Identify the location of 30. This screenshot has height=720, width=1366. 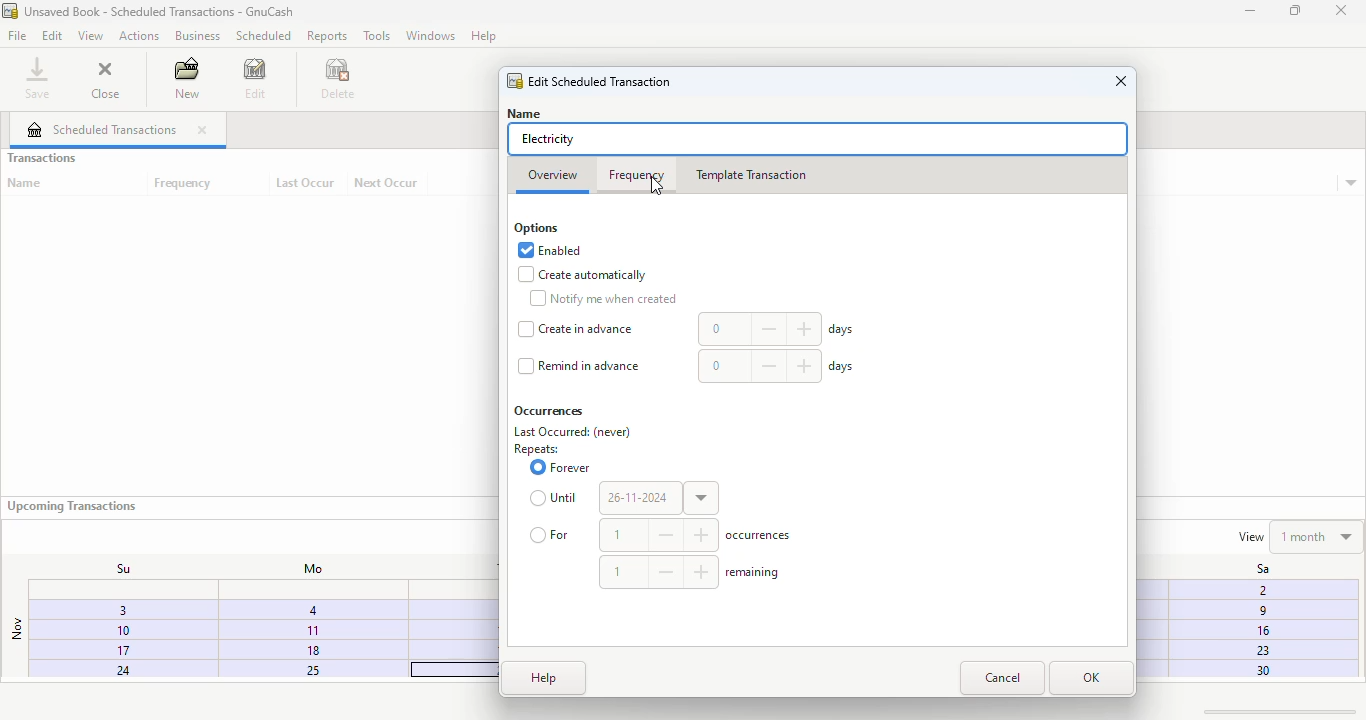
(1260, 671).